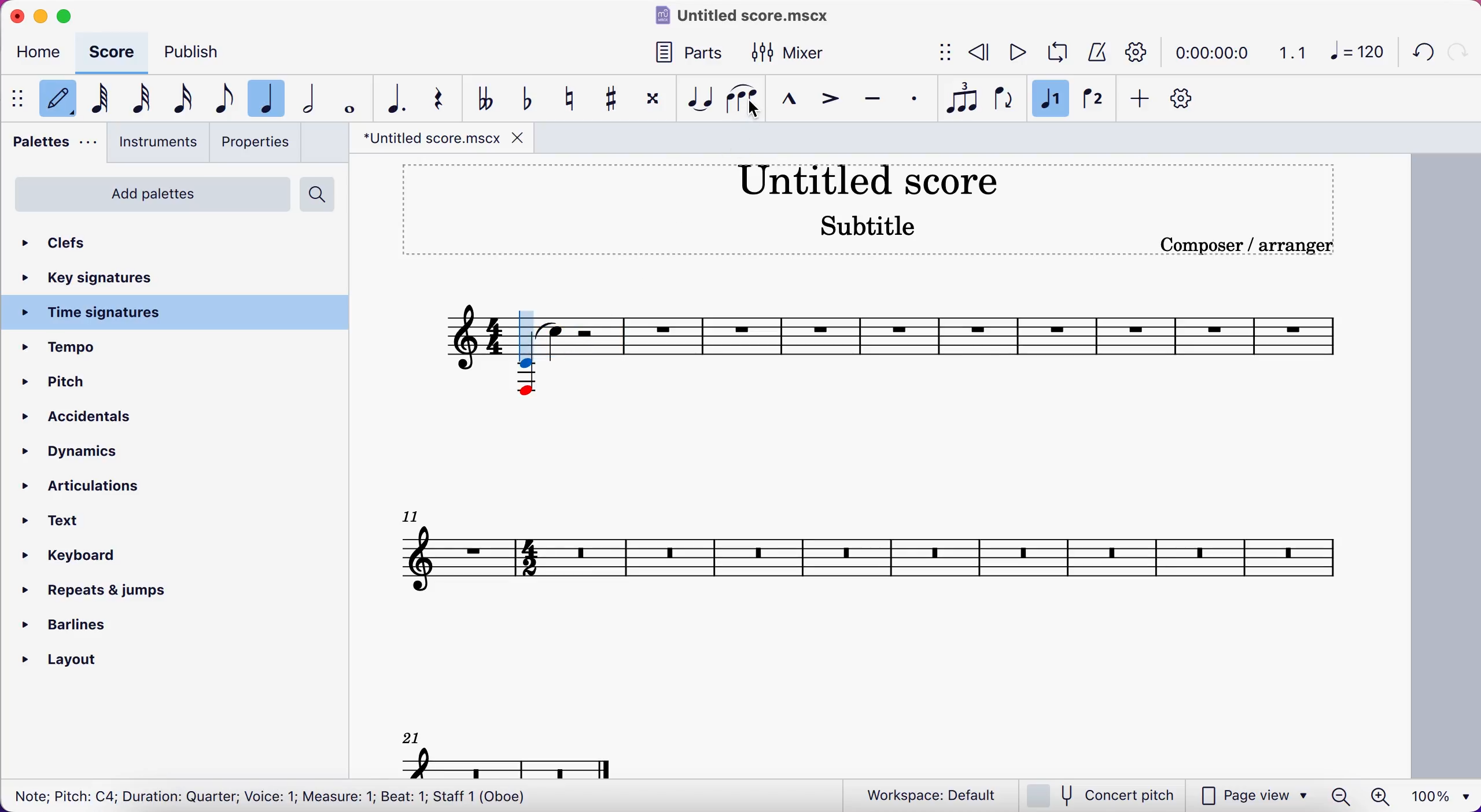  I want to click on text, so click(71, 521).